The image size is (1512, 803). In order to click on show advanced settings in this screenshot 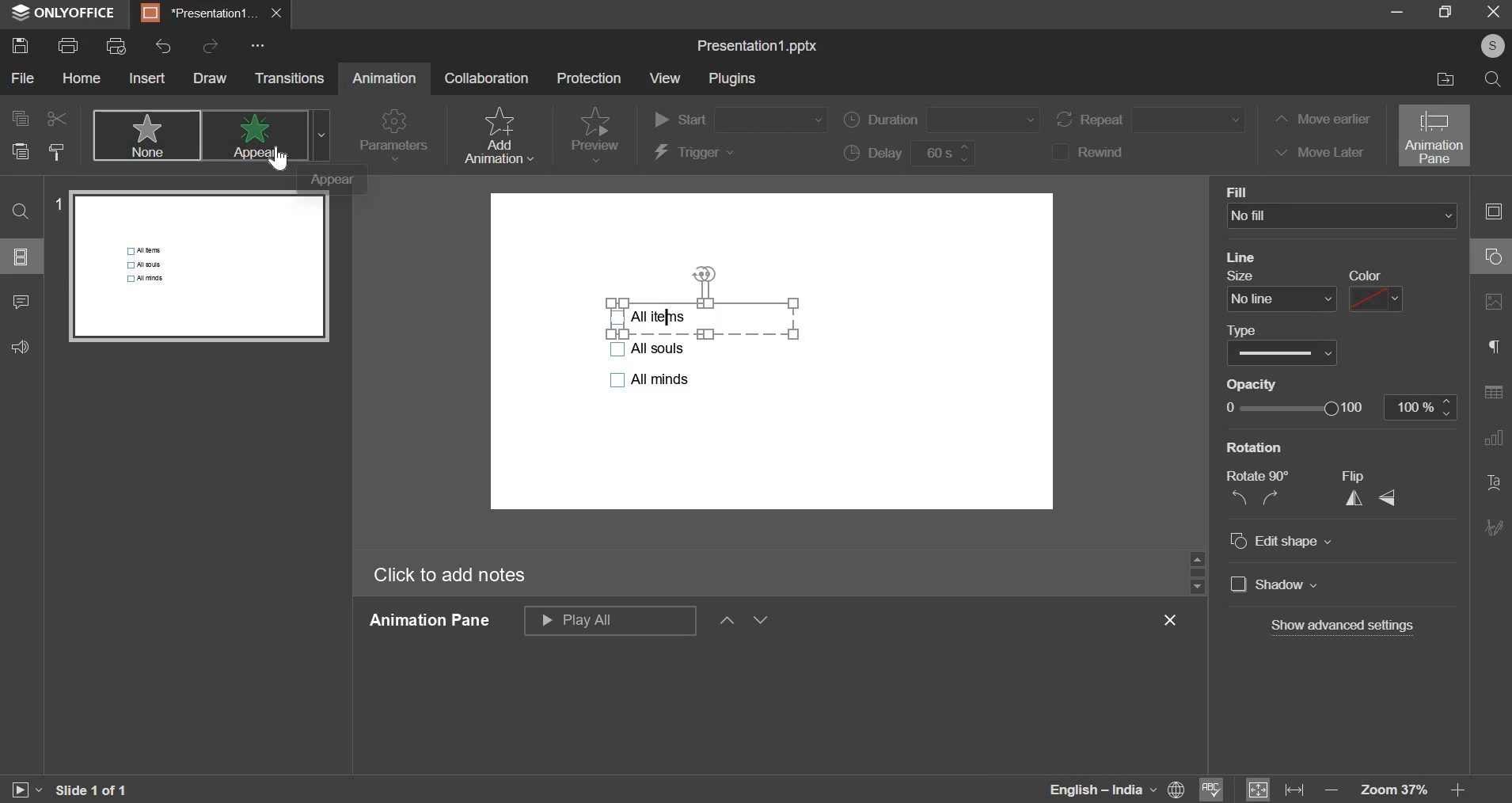, I will do `click(1342, 630)`.